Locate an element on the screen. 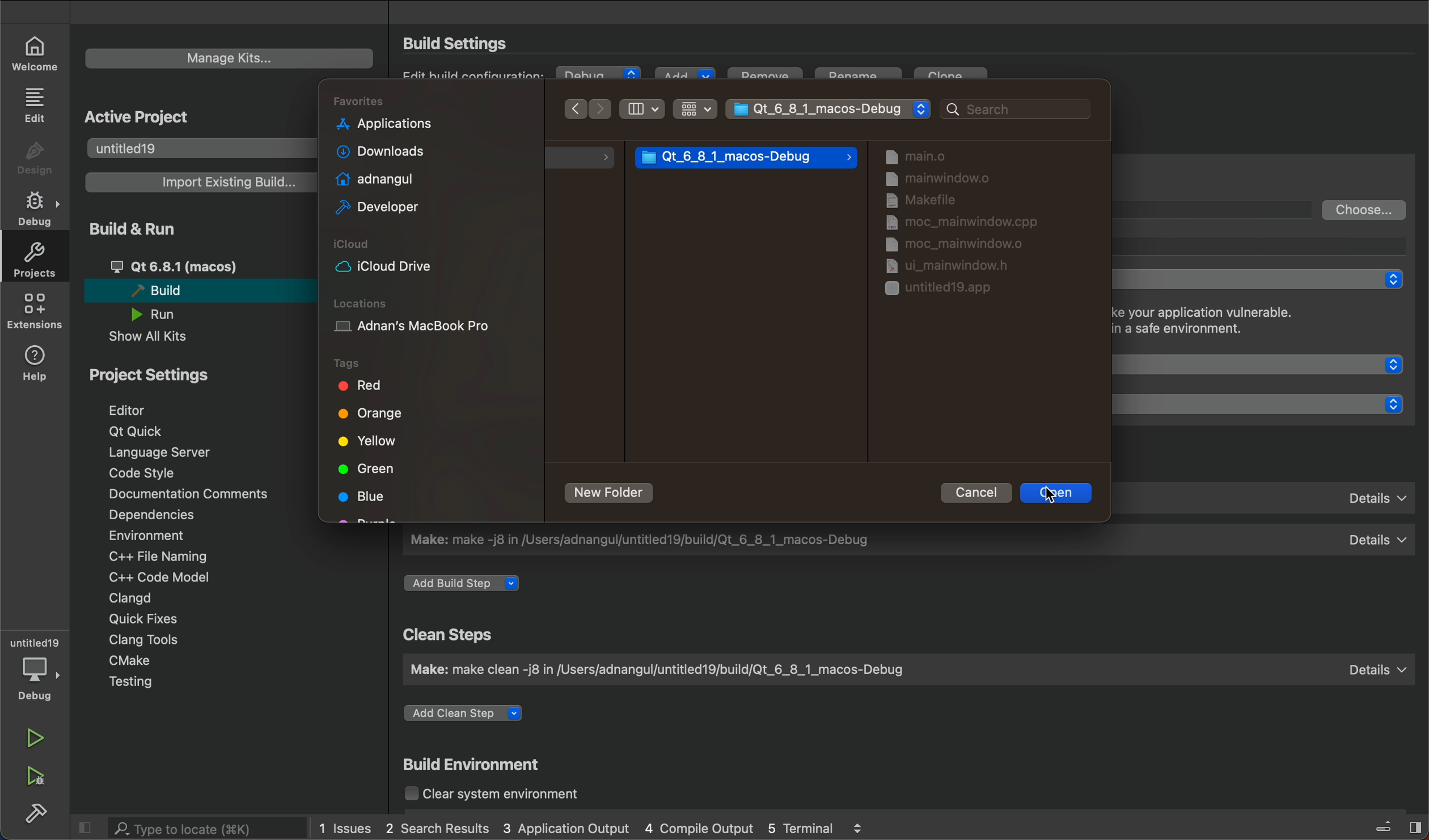  projects is located at coordinates (32, 260).